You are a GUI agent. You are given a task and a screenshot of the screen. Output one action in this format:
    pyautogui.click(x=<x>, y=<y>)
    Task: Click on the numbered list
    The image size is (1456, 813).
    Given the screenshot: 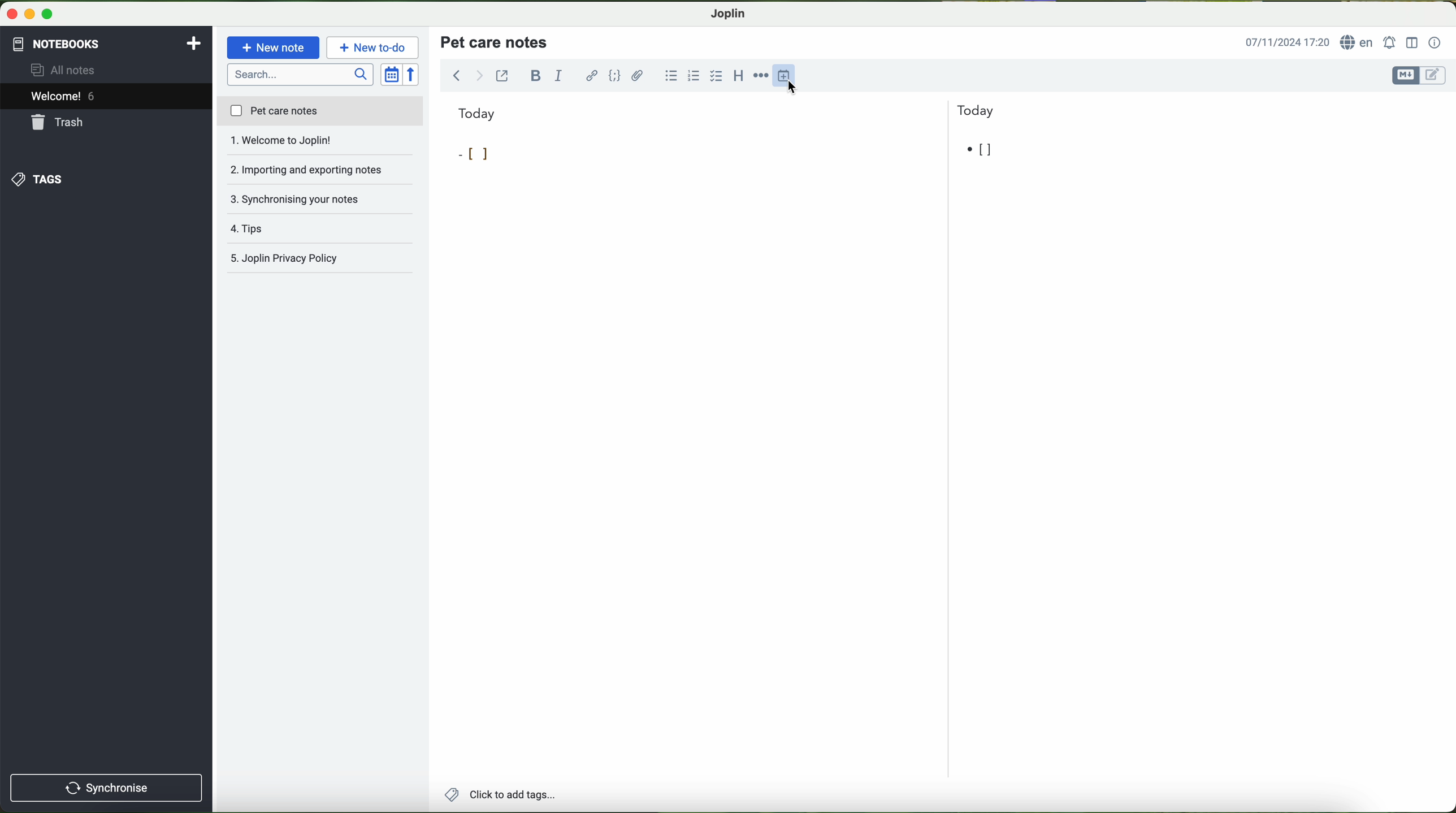 What is the action you would take?
    pyautogui.click(x=692, y=76)
    